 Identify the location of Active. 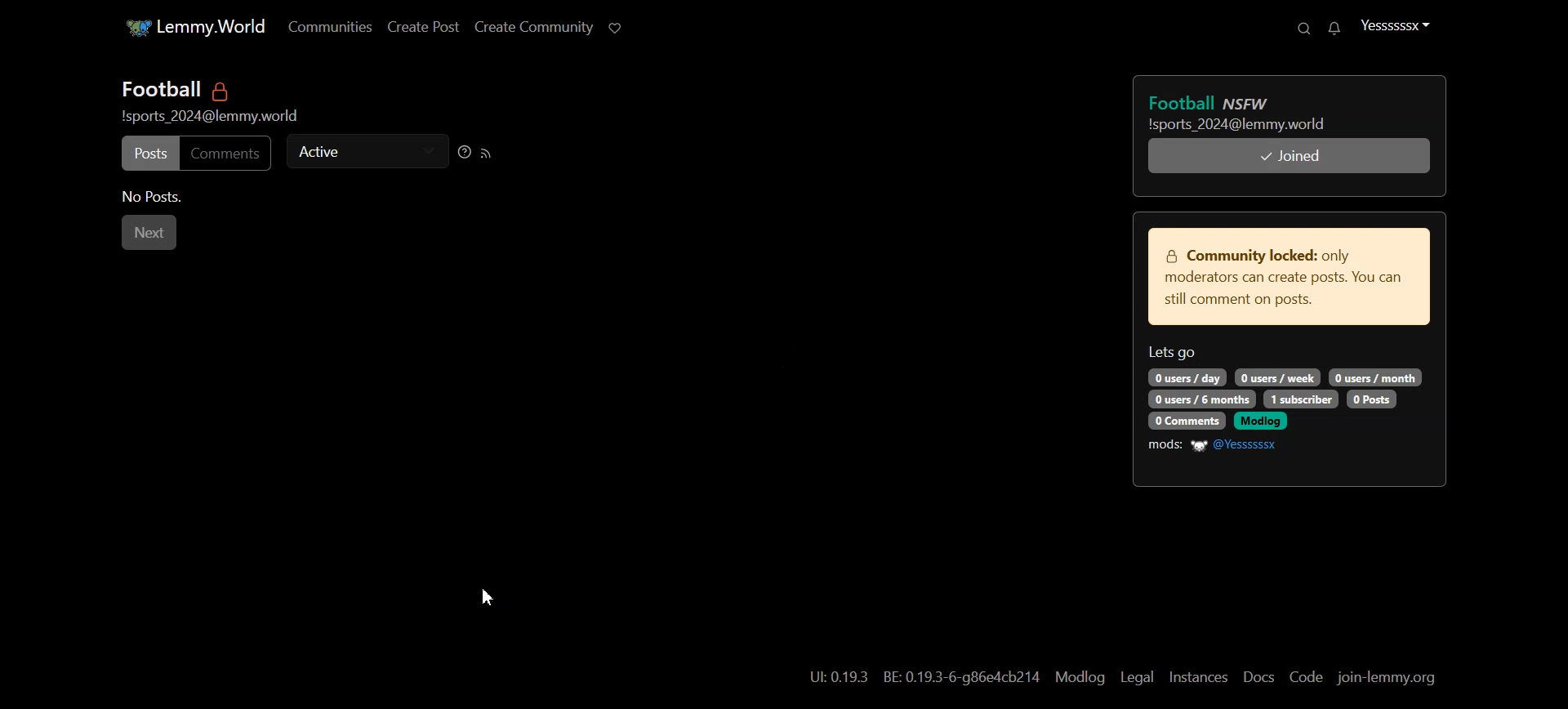
(366, 149).